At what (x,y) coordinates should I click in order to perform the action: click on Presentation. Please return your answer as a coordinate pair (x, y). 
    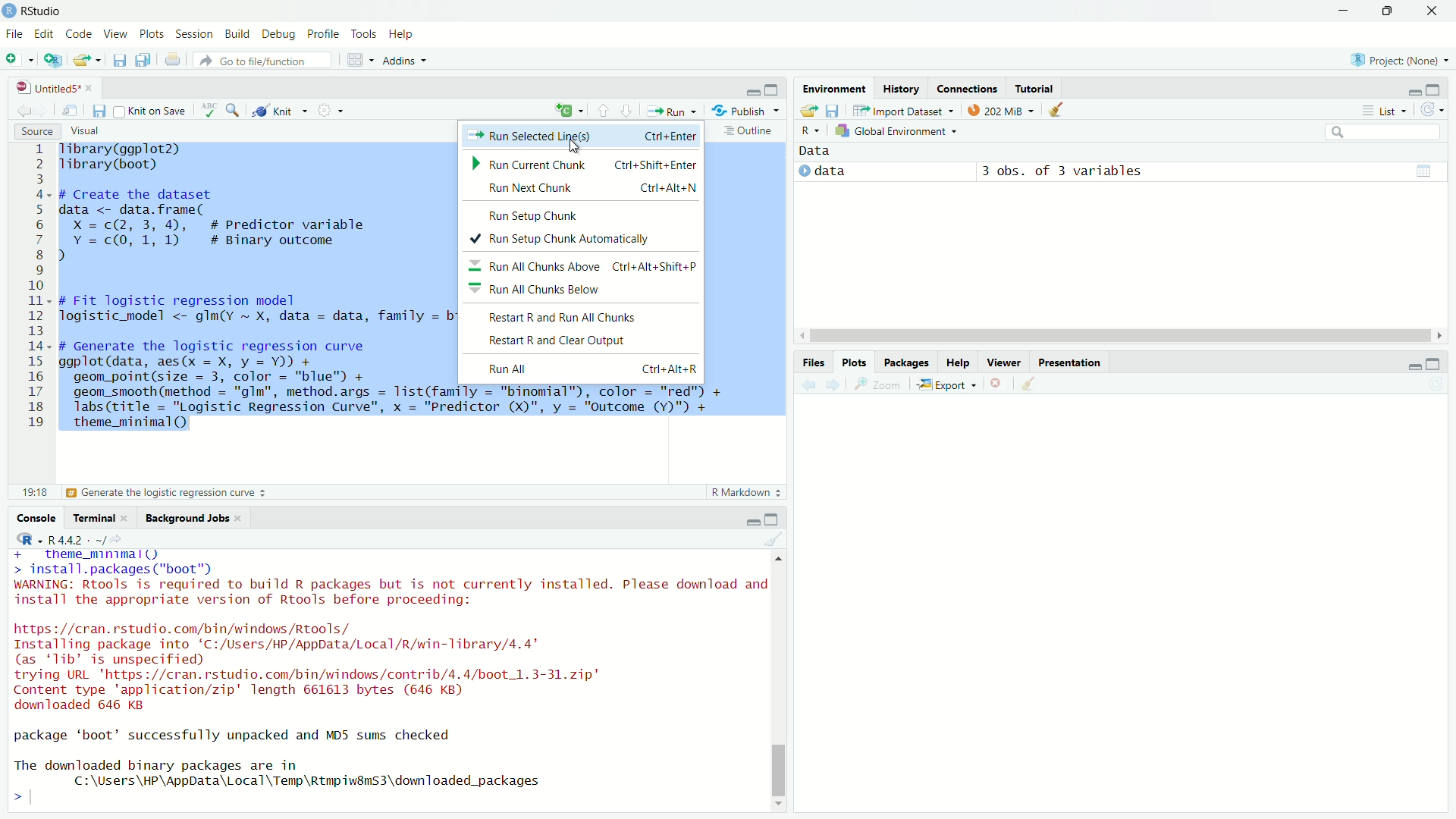
    Looking at the image, I should click on (1071, 362).